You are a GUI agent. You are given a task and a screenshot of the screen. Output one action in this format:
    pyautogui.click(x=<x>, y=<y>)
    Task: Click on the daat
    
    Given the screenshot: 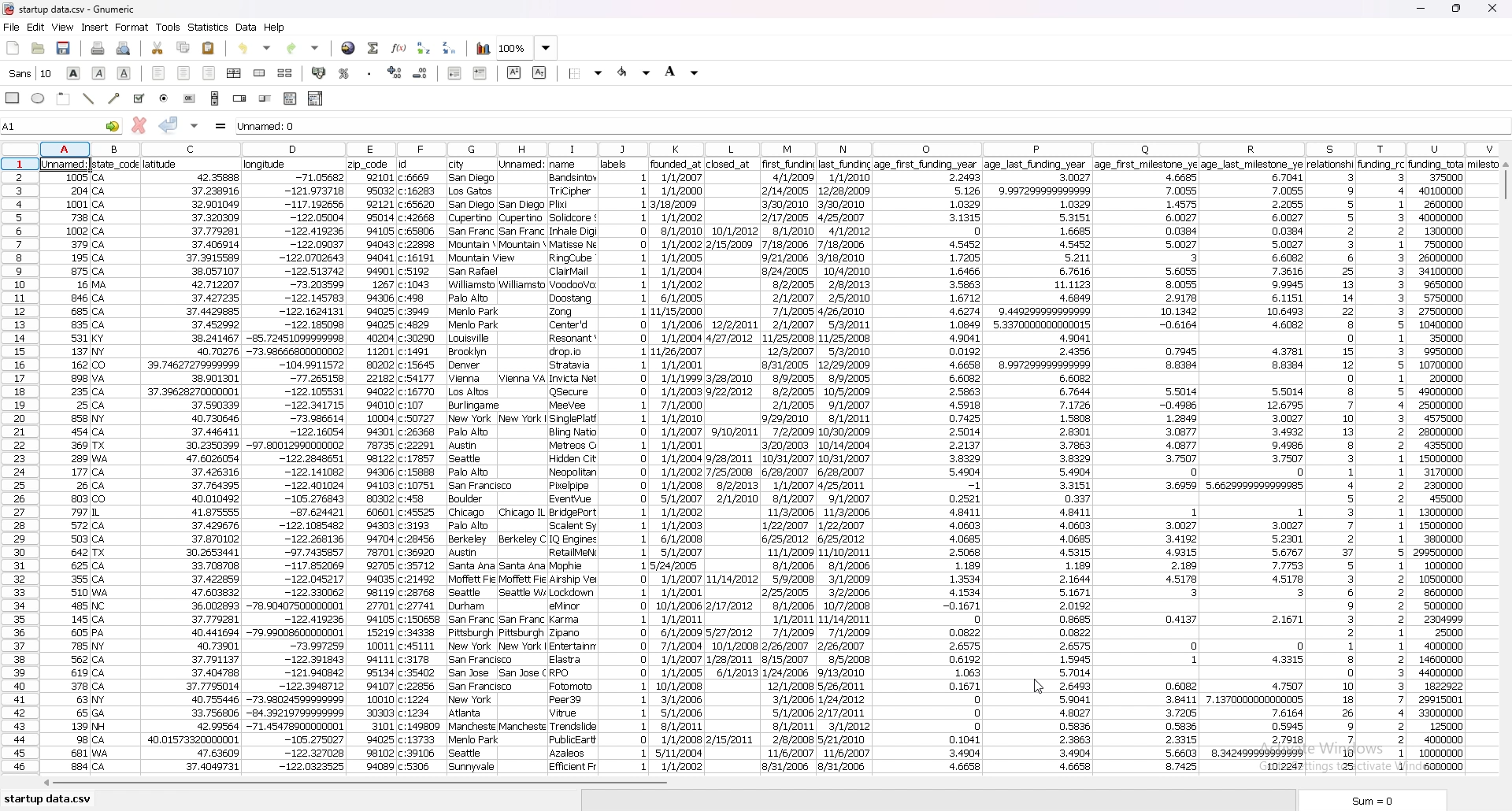 What is the action you would take?
    pyautogui.click(x=423, y=465)
    